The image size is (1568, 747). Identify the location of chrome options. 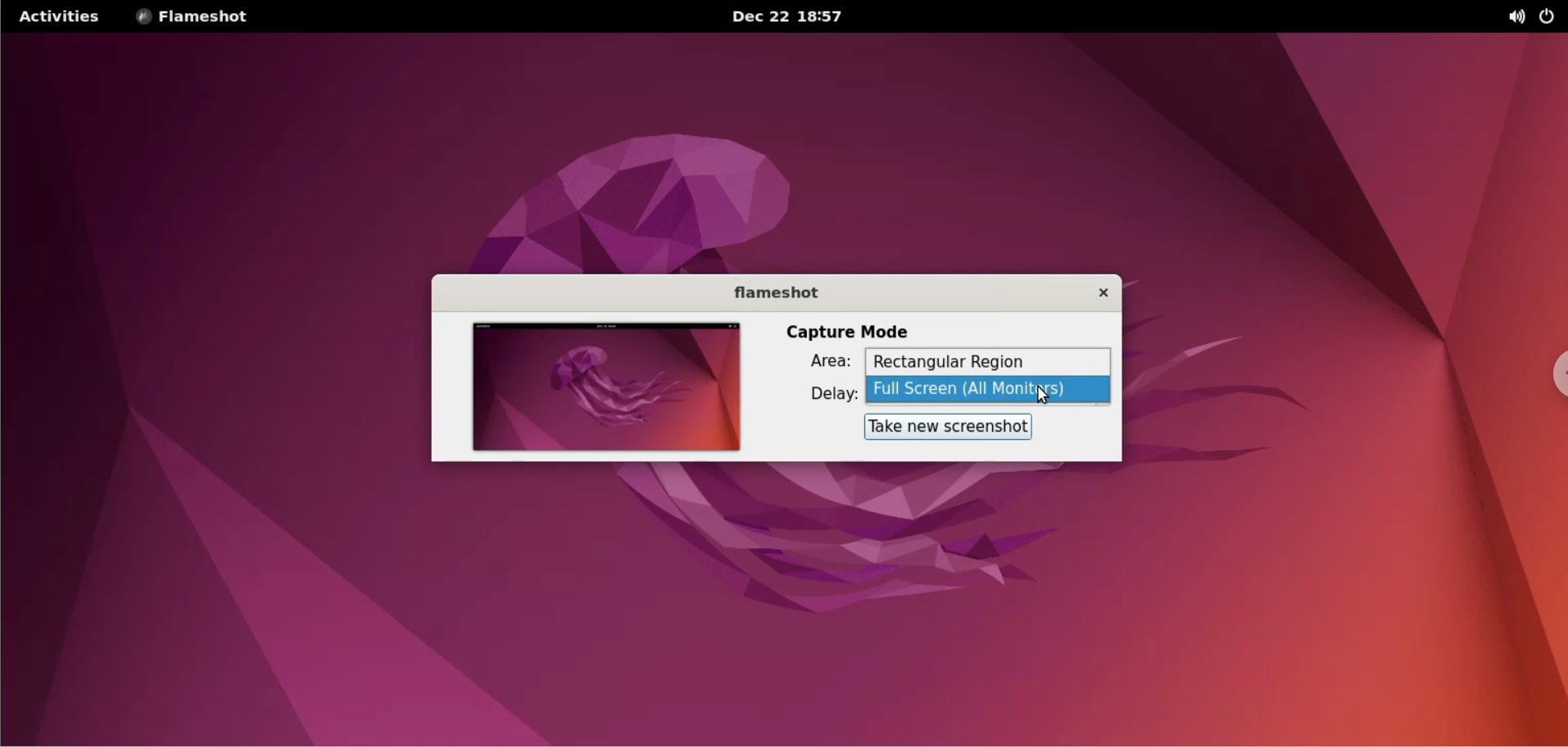
(1552, 376).